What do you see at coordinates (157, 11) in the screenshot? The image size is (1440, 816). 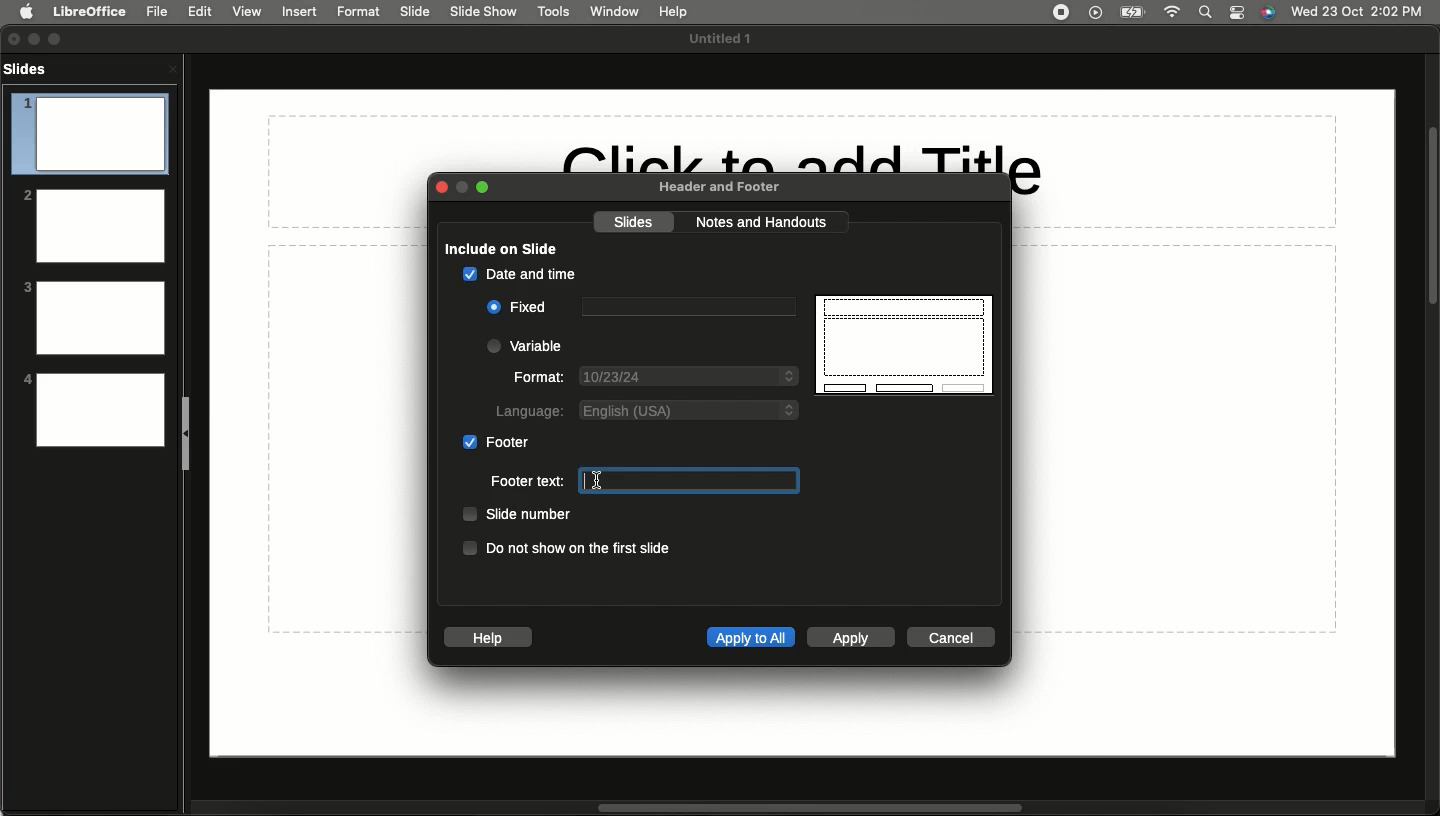 I see `File` at bounding box center [157, 11].